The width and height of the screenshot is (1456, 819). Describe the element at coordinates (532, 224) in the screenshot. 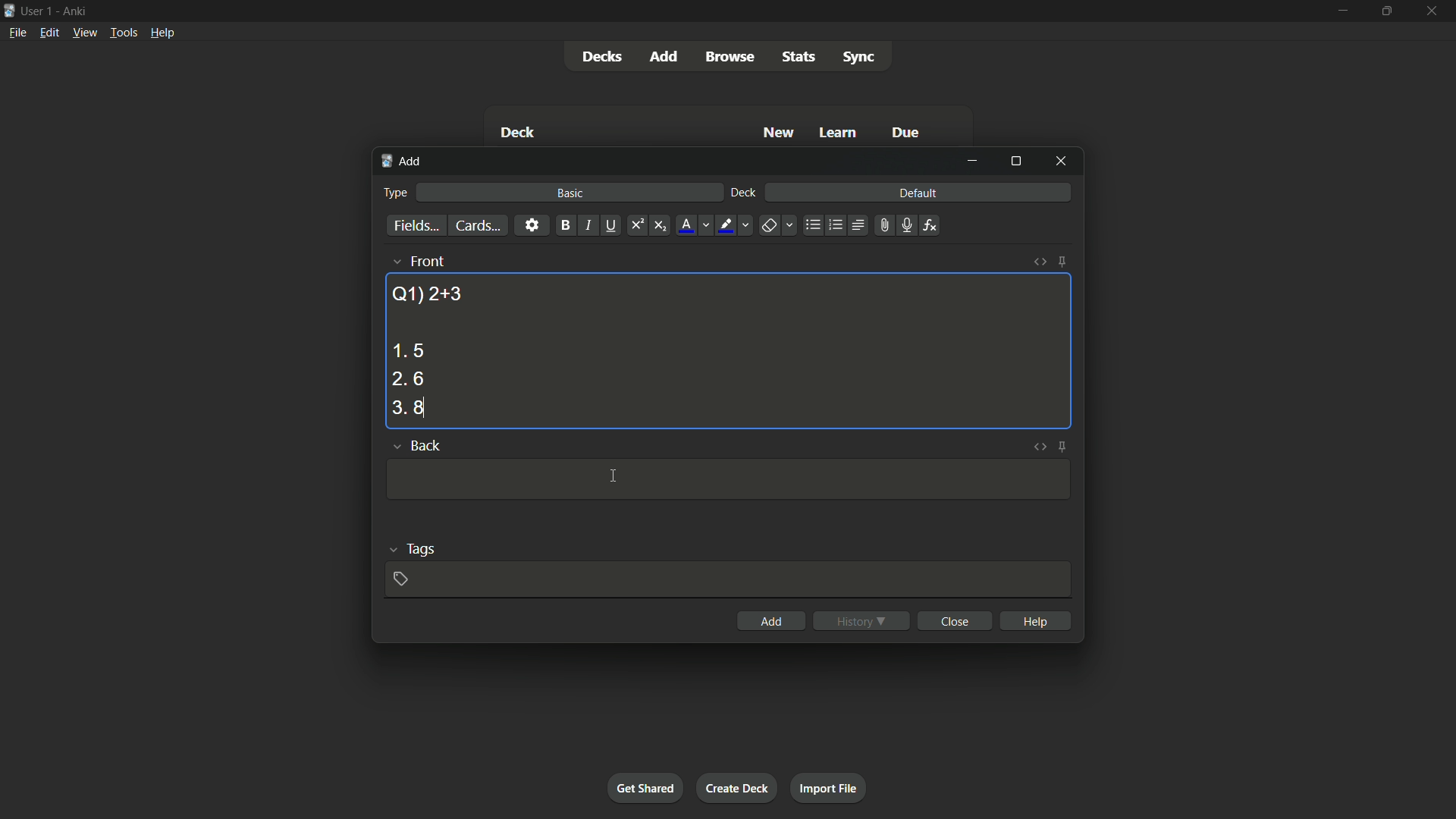

I see `settings` at that location.